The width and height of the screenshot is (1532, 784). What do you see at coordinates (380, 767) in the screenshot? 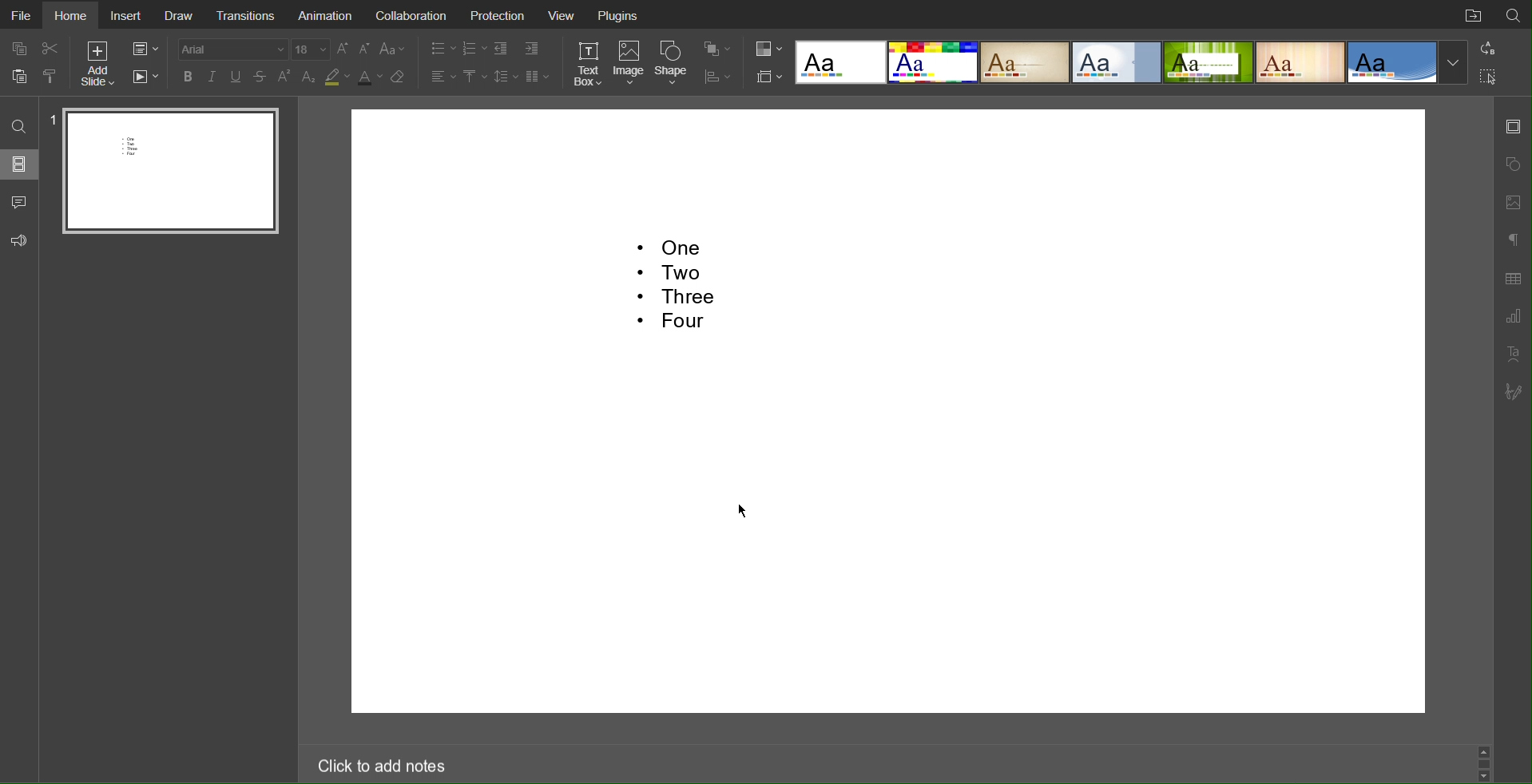
I see `Click to add notes` at bounding box center [380, 767].